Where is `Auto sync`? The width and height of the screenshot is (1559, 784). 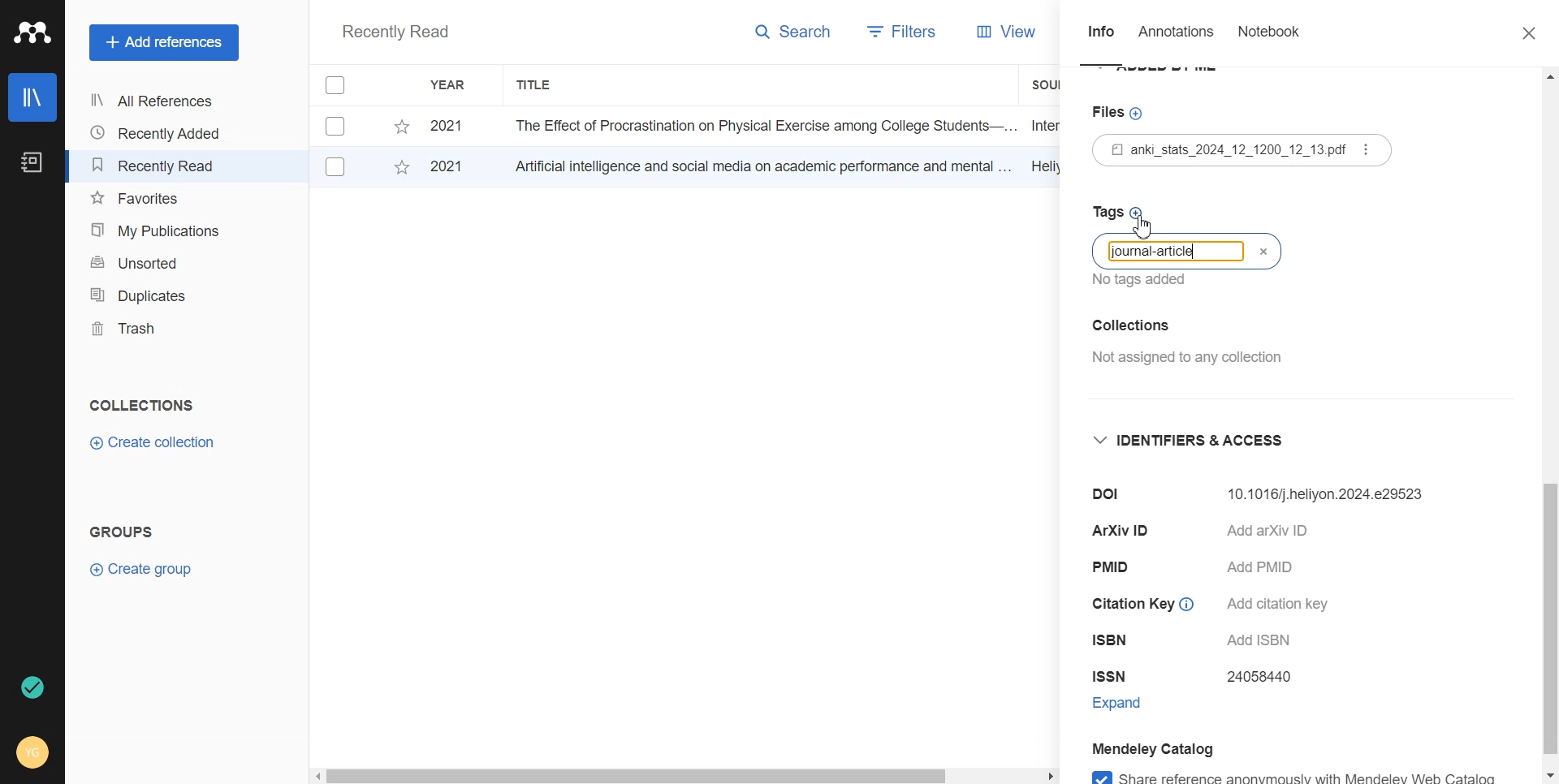
Auto sync is located at coordinates (30, 687).